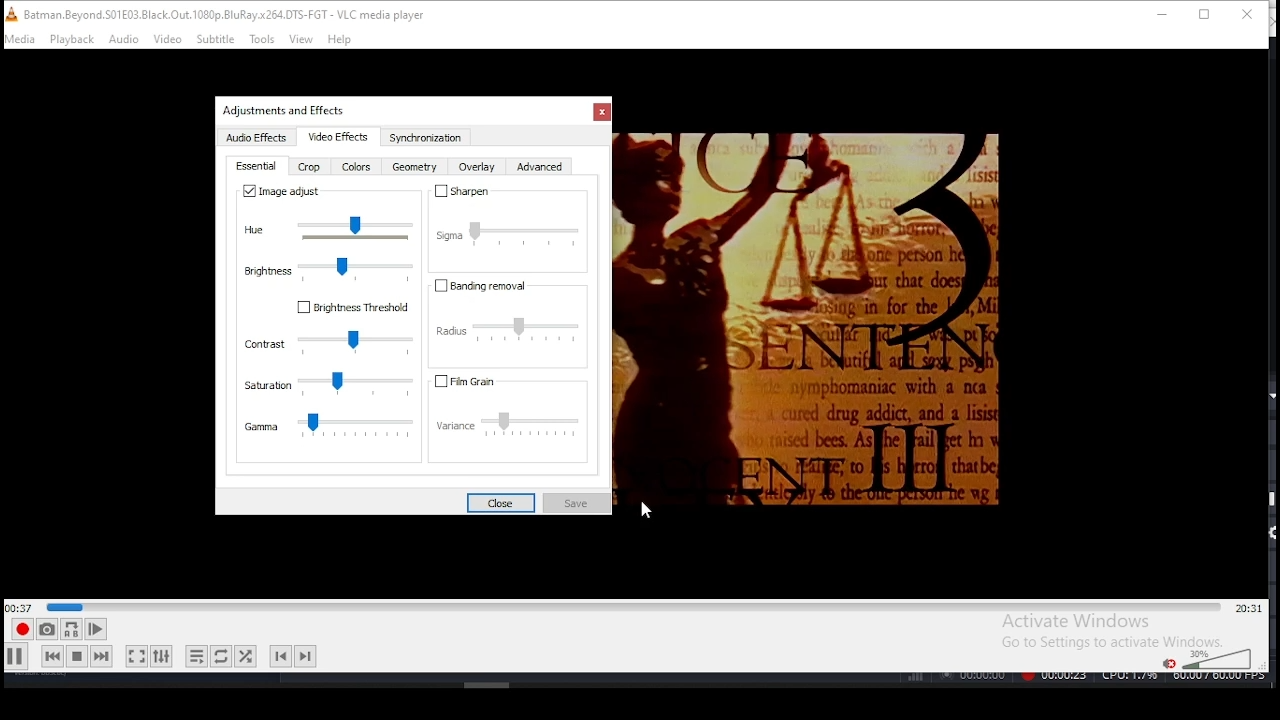 The width and height of the screenshot is (1280, 720). What do you see at coordinates (487, 286) in the screenshot?
I see `banding removal on/off` at bounding box center [487, 286].